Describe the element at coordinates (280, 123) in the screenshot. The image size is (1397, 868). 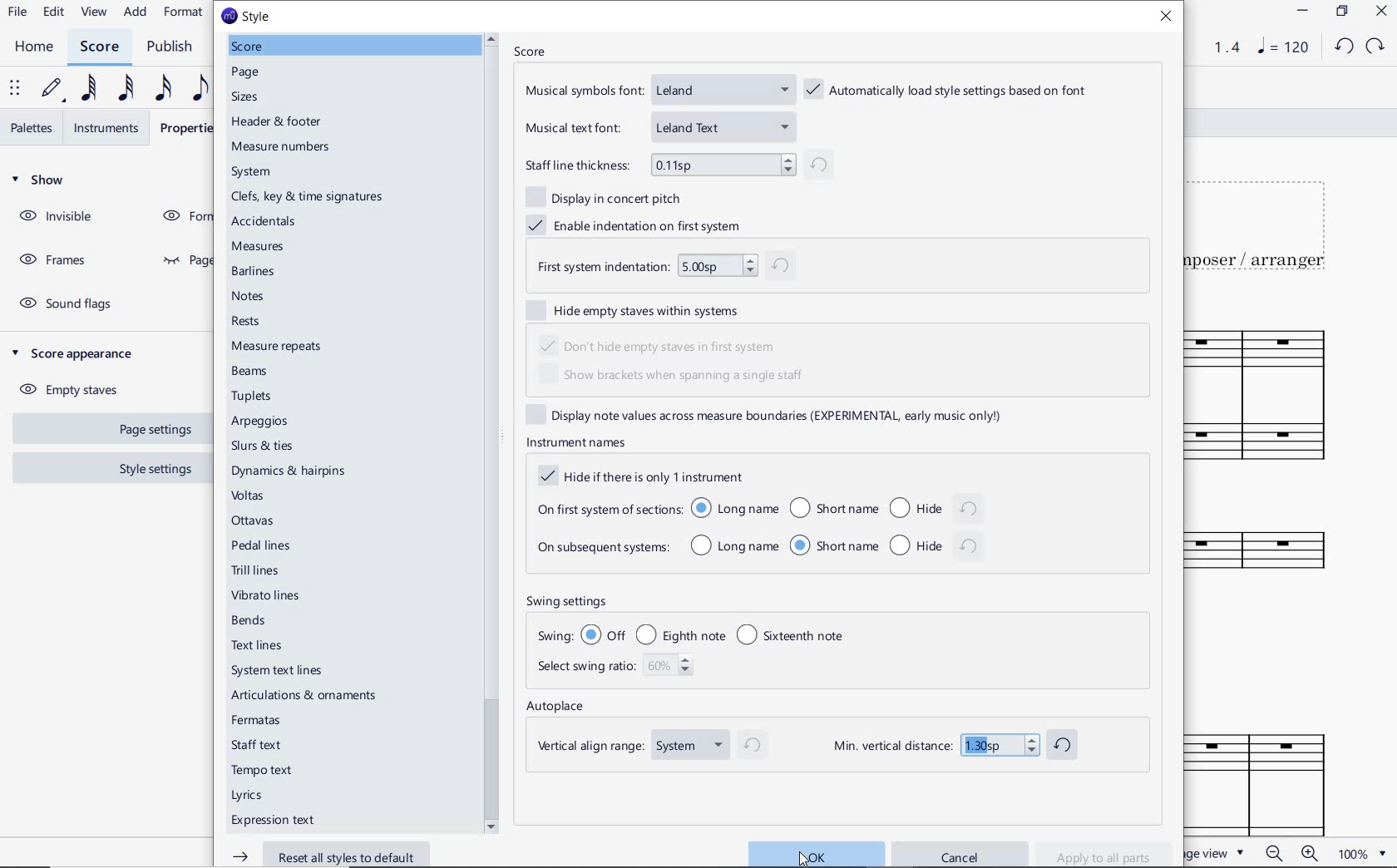
I see `header & footer` at that location.